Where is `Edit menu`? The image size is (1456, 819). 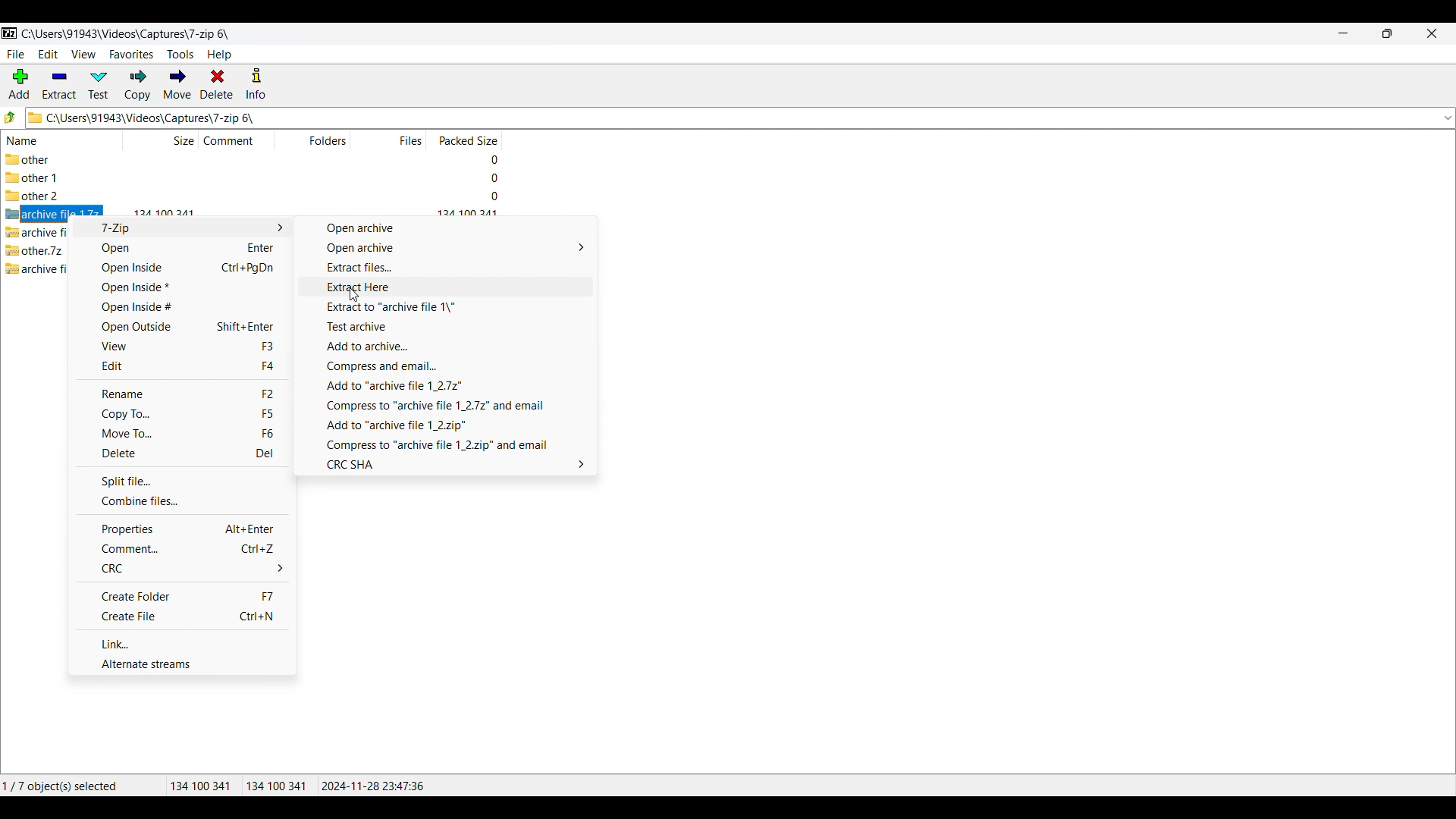
Edit menu is located at coordinates (49, 54).